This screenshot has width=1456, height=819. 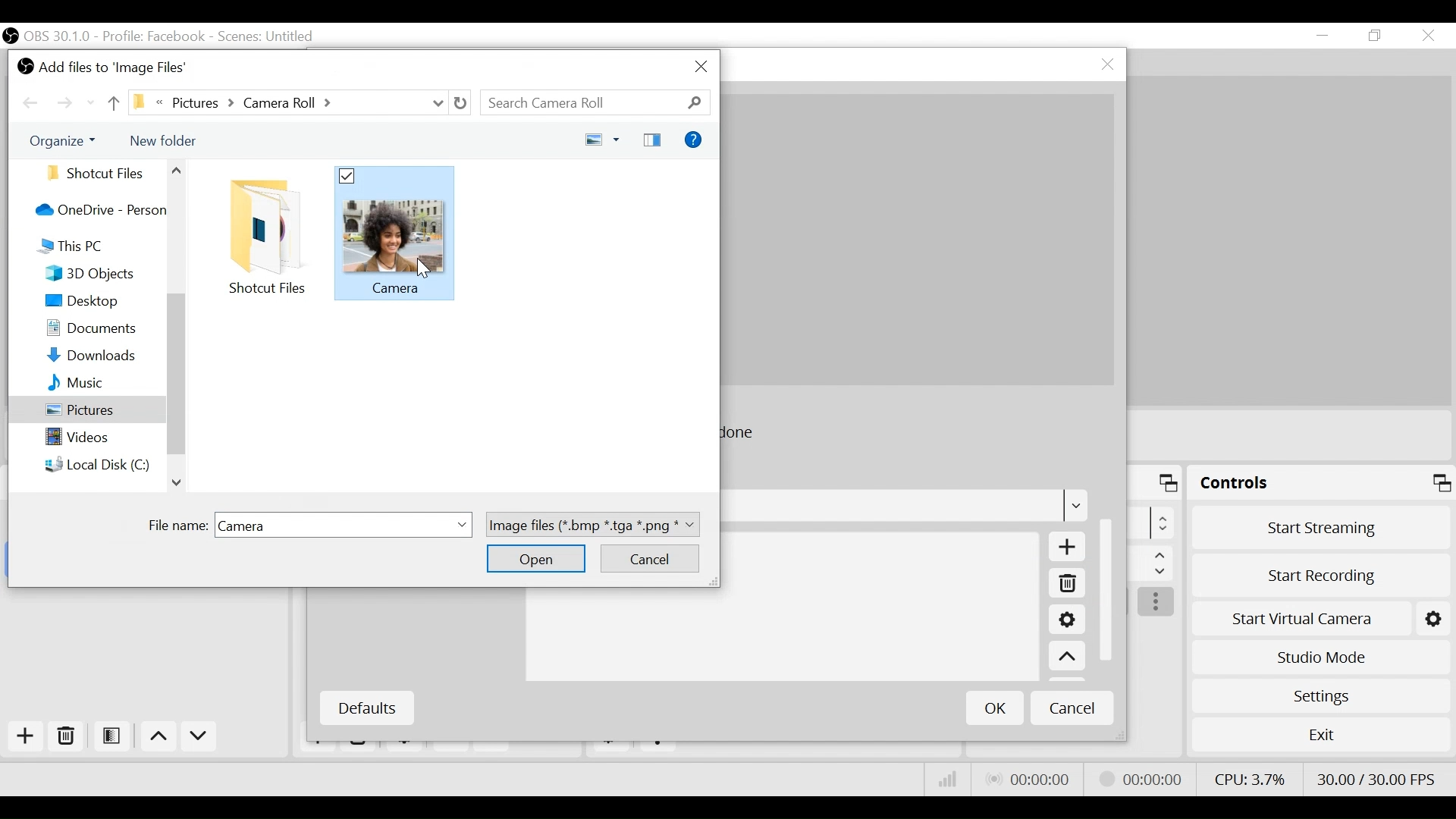 What do you see at coordinates (948, 780) in the screenshot?
I see `Bitrate` at bounding box center [948, 780].